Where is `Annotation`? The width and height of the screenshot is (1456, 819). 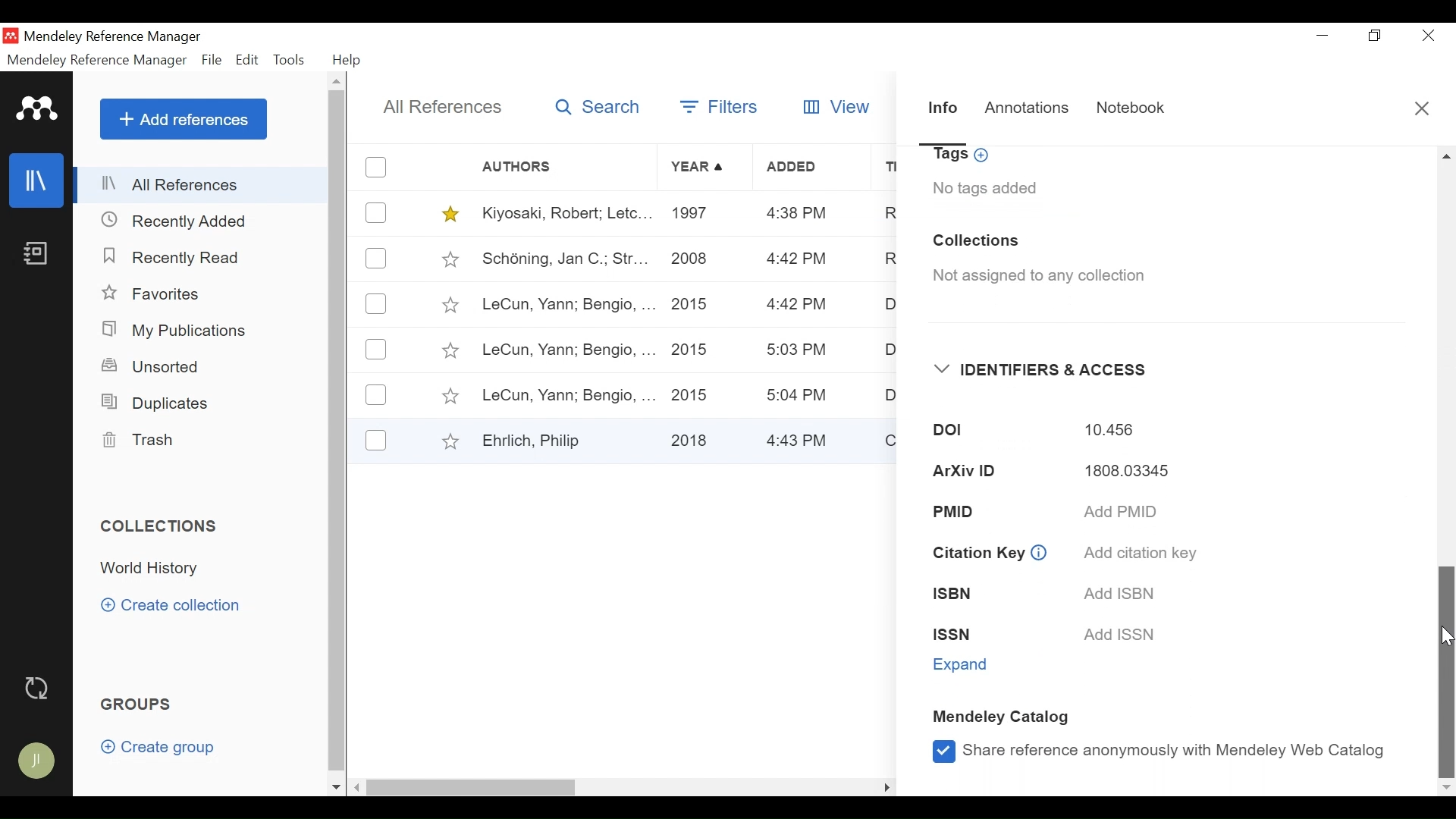 Annotation is located at coordinates (1029, 110).